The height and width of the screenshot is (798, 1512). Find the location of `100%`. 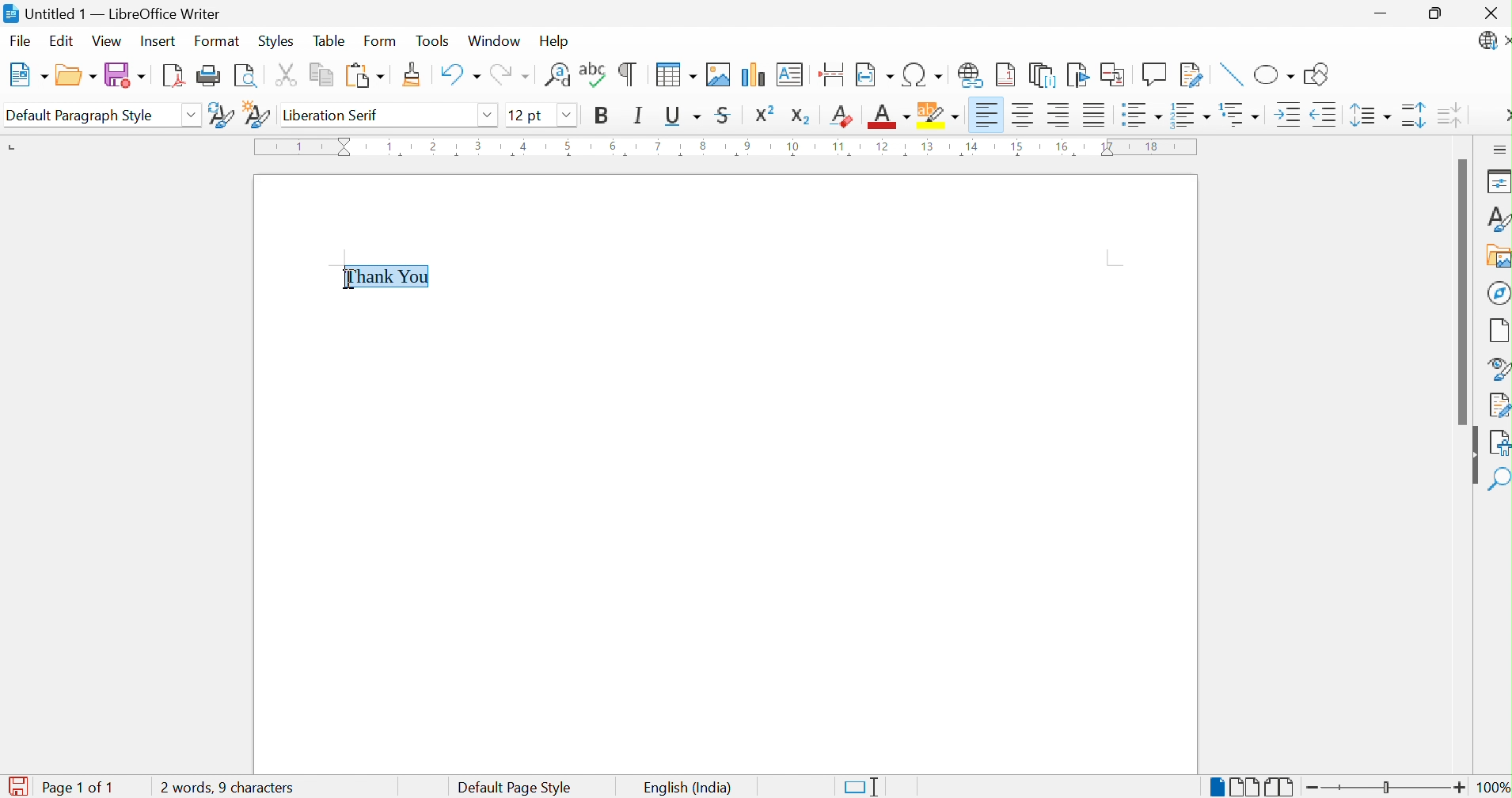

100% is located at coordinates (1493, 787).